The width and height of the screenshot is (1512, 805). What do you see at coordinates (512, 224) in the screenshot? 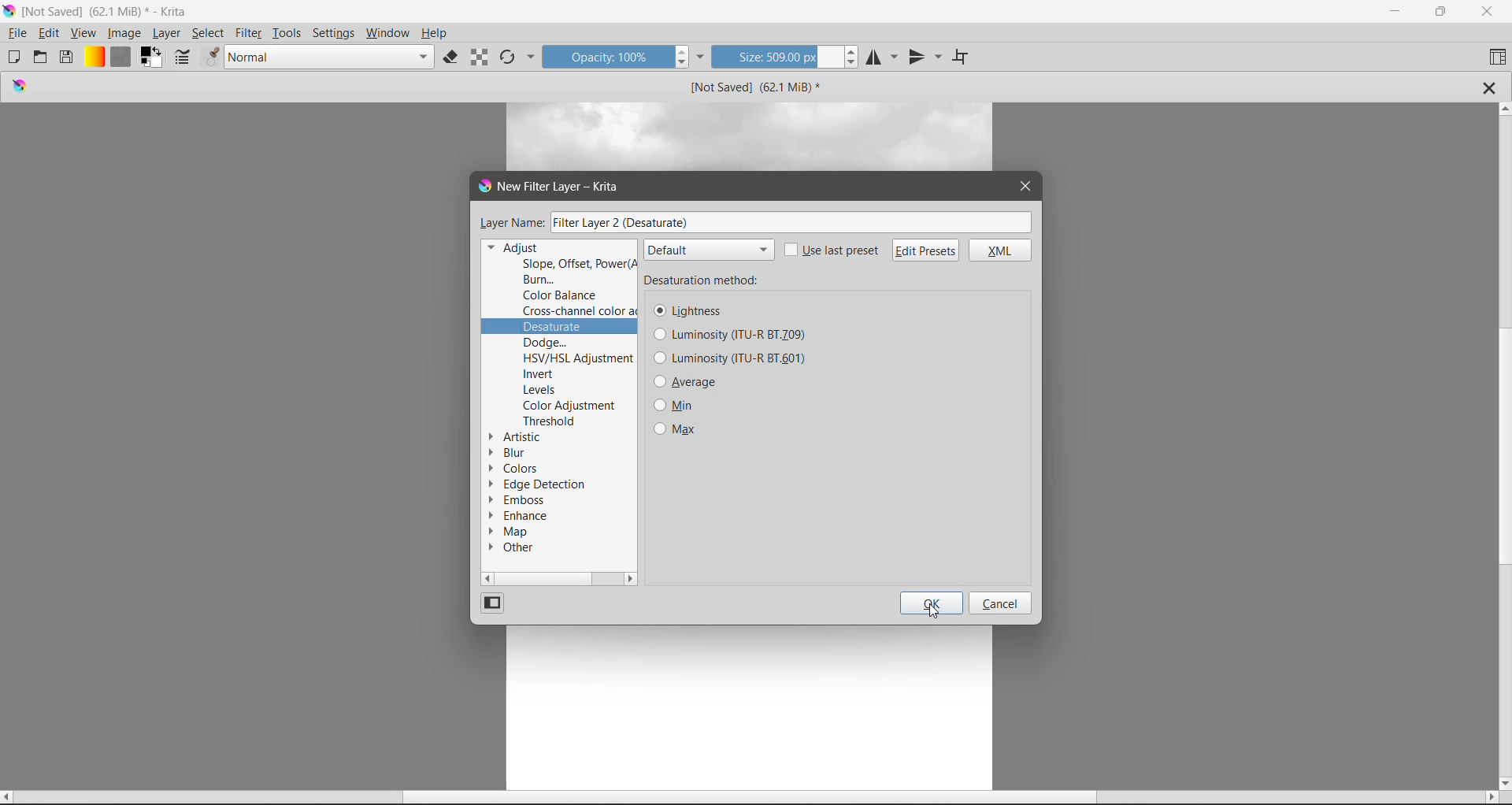
I see `Layer Name` at bounding box center [512, 224].